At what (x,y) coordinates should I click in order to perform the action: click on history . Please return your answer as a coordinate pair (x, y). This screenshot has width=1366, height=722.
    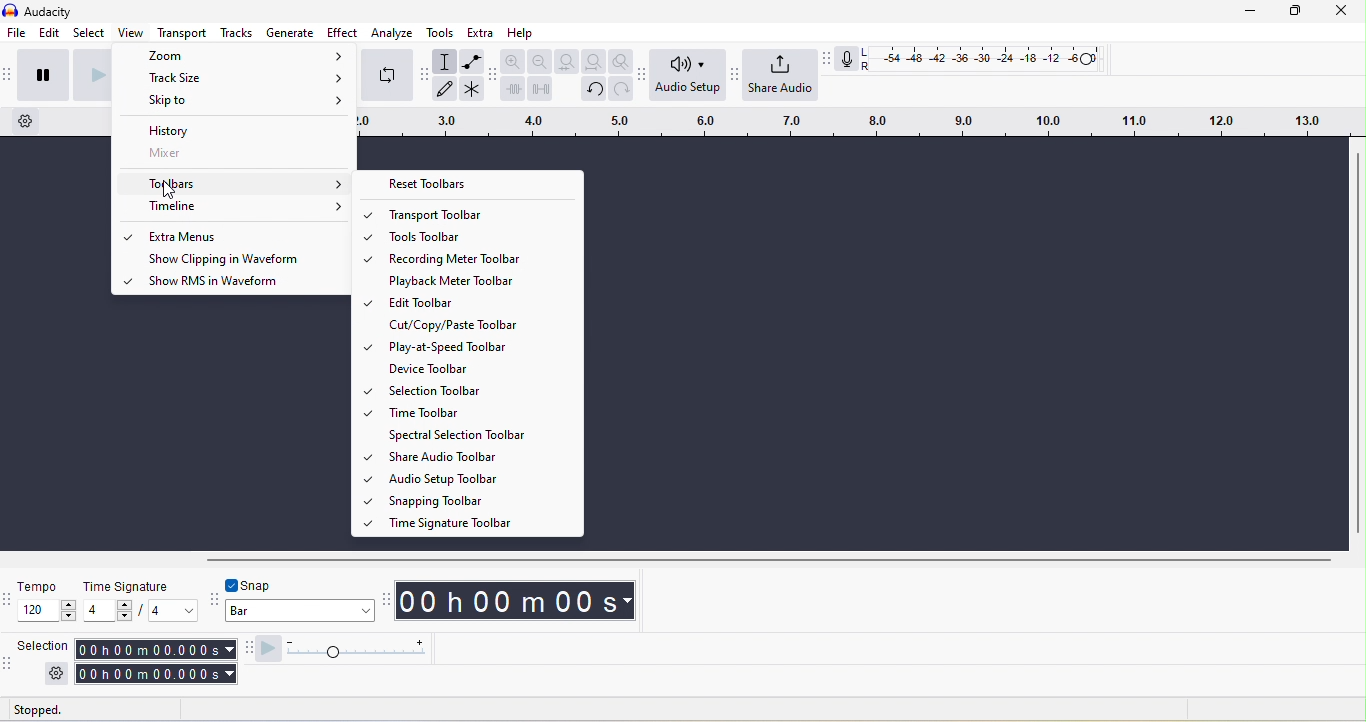
    Looking at the image, I should click on (234, 128).